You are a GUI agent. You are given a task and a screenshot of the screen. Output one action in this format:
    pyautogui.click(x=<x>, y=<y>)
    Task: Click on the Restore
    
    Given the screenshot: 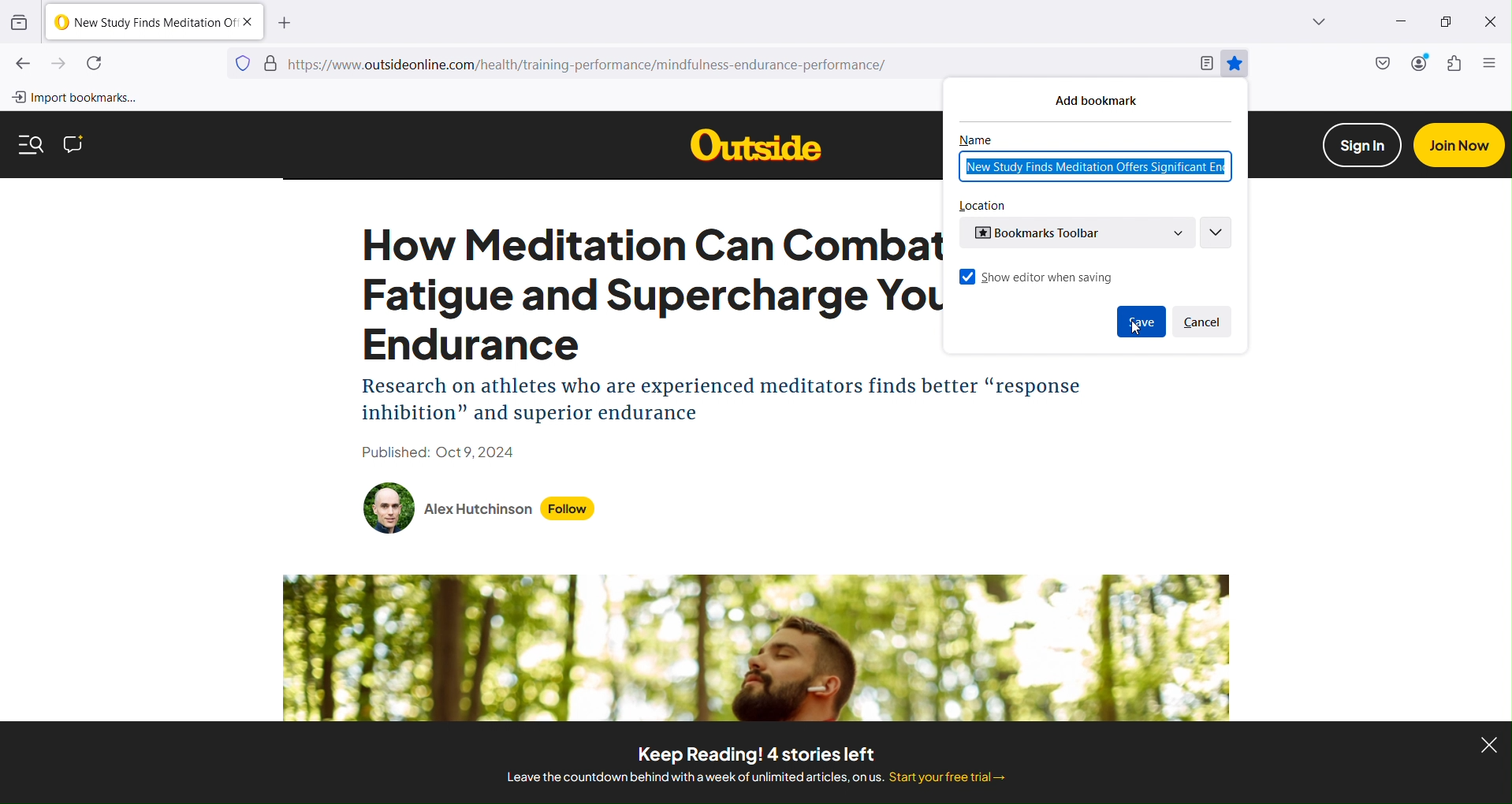 What is the action you would take?
    pyautogui.click(x=1447, y=24)
    